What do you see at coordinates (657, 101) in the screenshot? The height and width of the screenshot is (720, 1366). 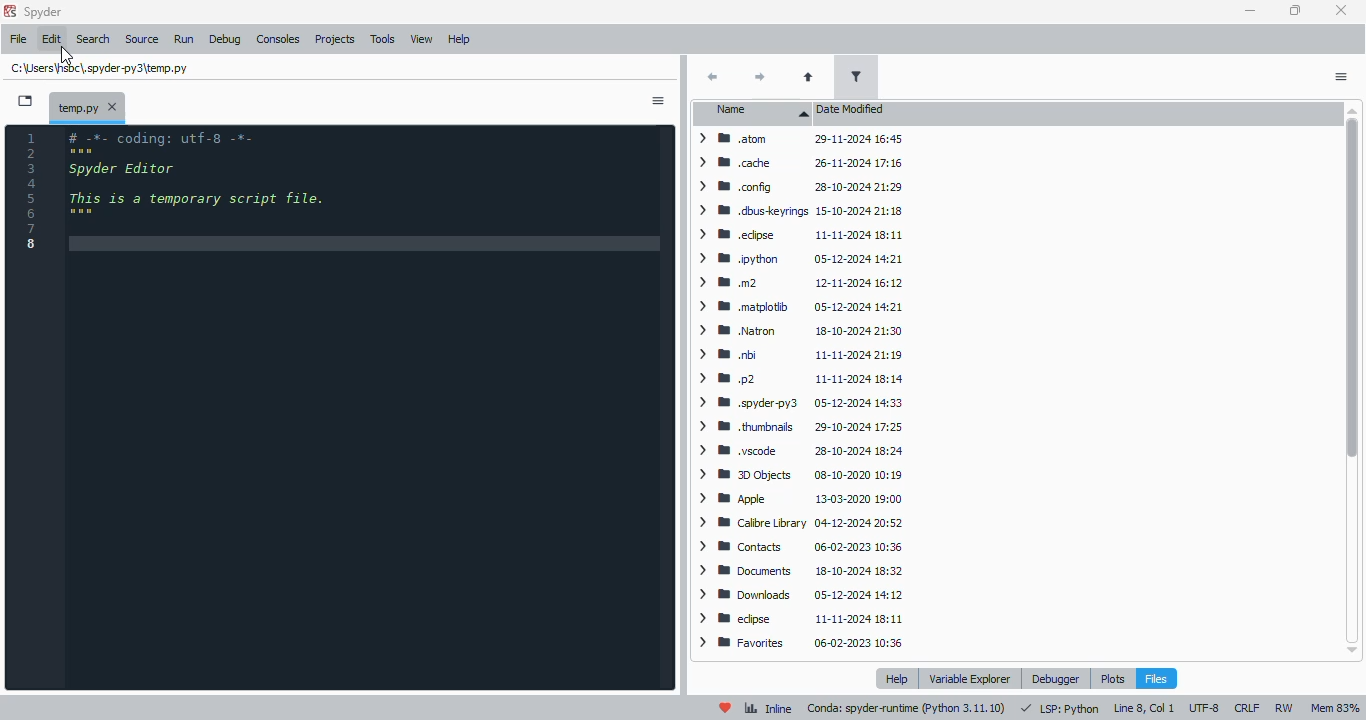 I see `options` at bounding box center [657, 101].